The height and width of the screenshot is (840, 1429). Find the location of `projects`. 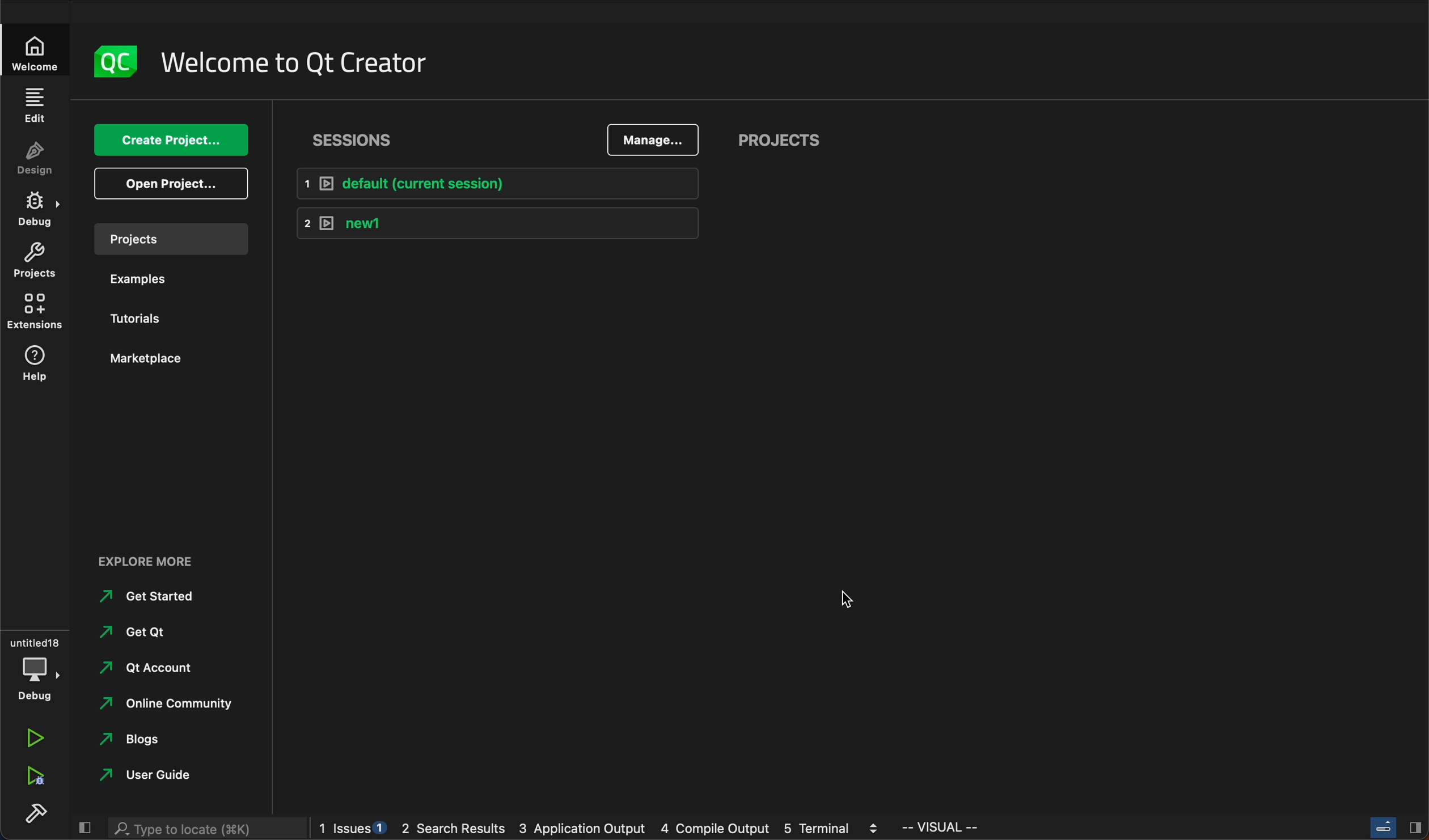

projects is located at coordinates (174, 239).